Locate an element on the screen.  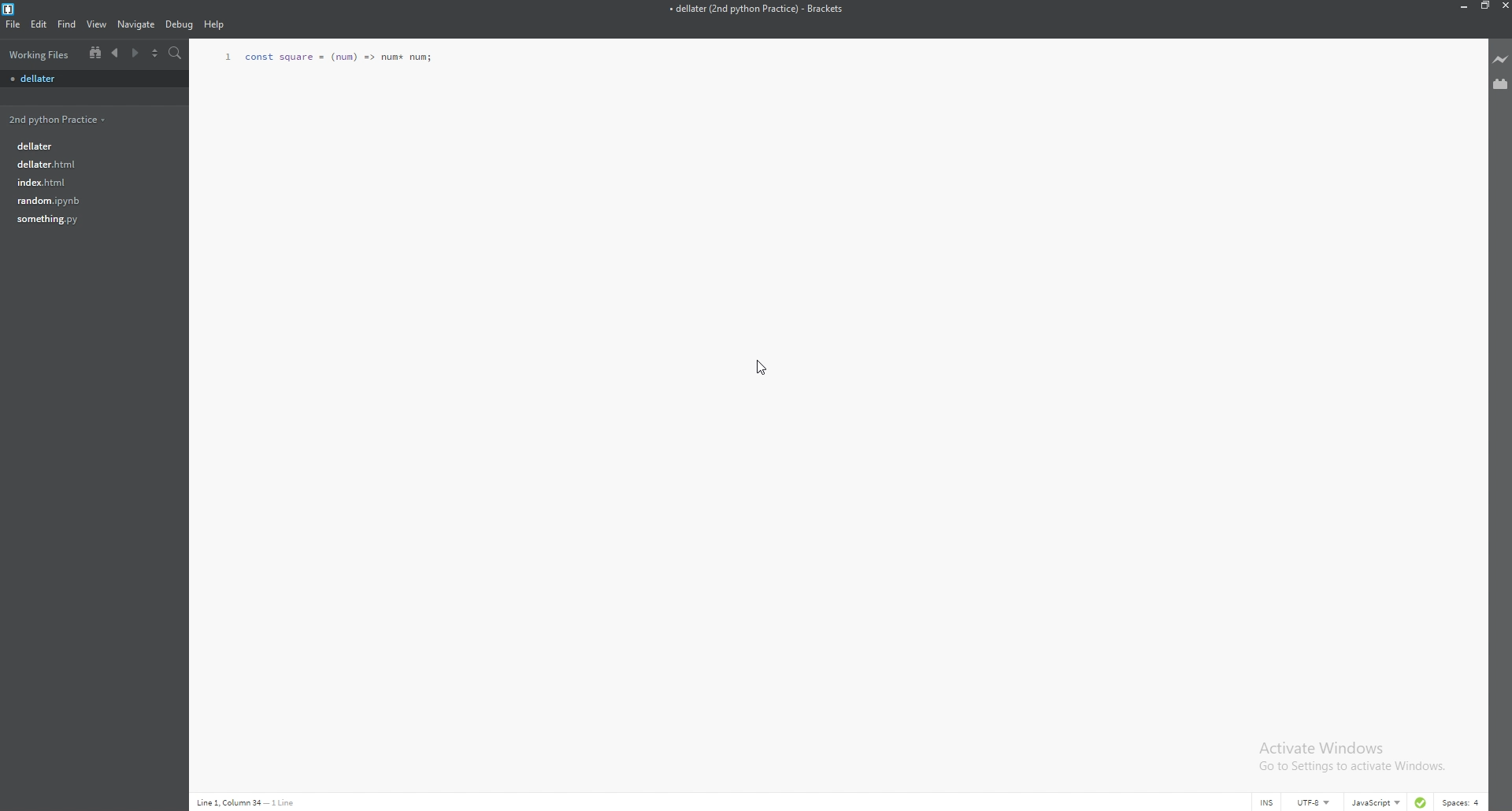
find is located at coordinates (66, 24).